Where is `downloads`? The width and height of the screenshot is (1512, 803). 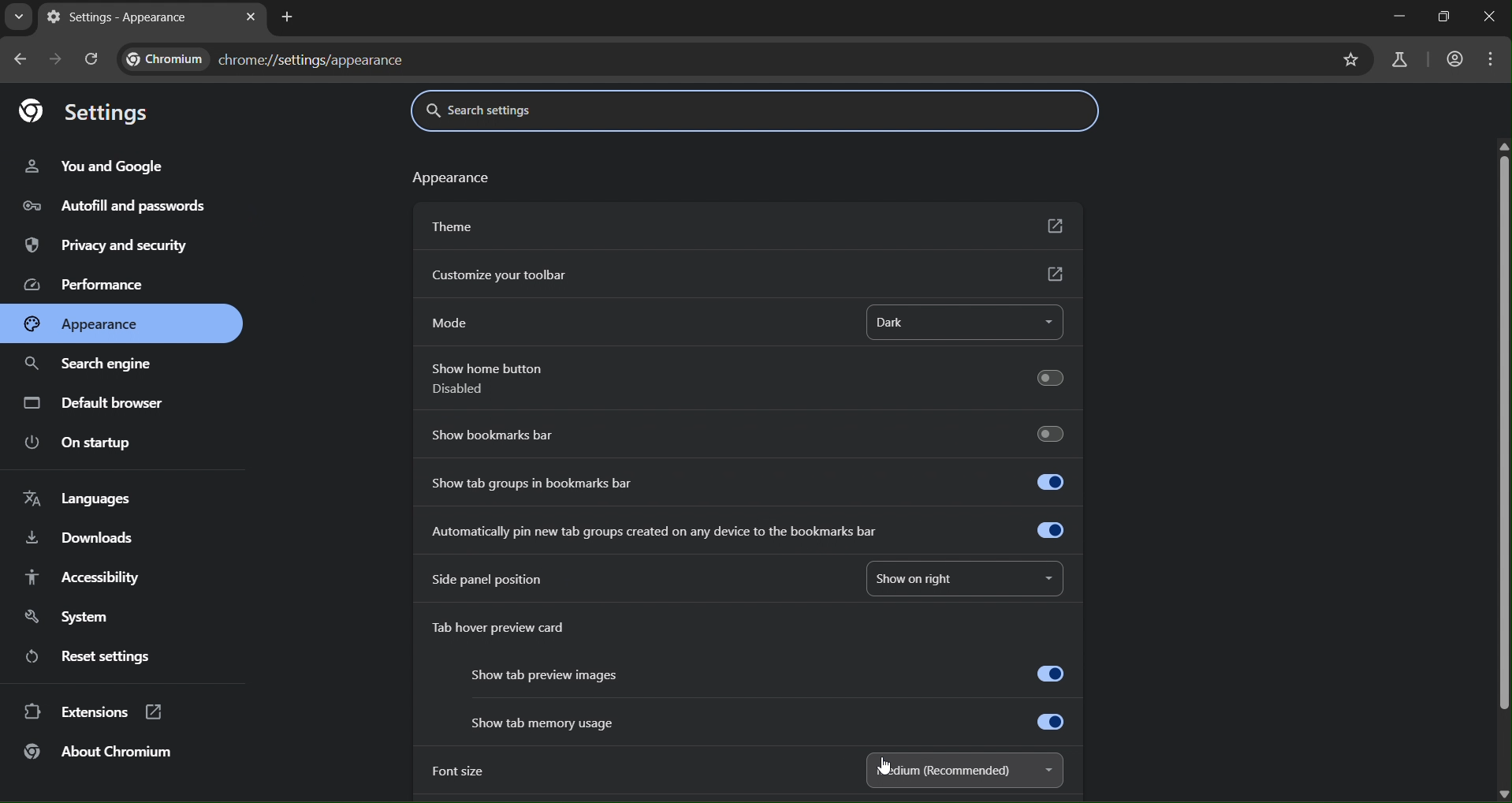 downloads is located at coordinates (80, 536).